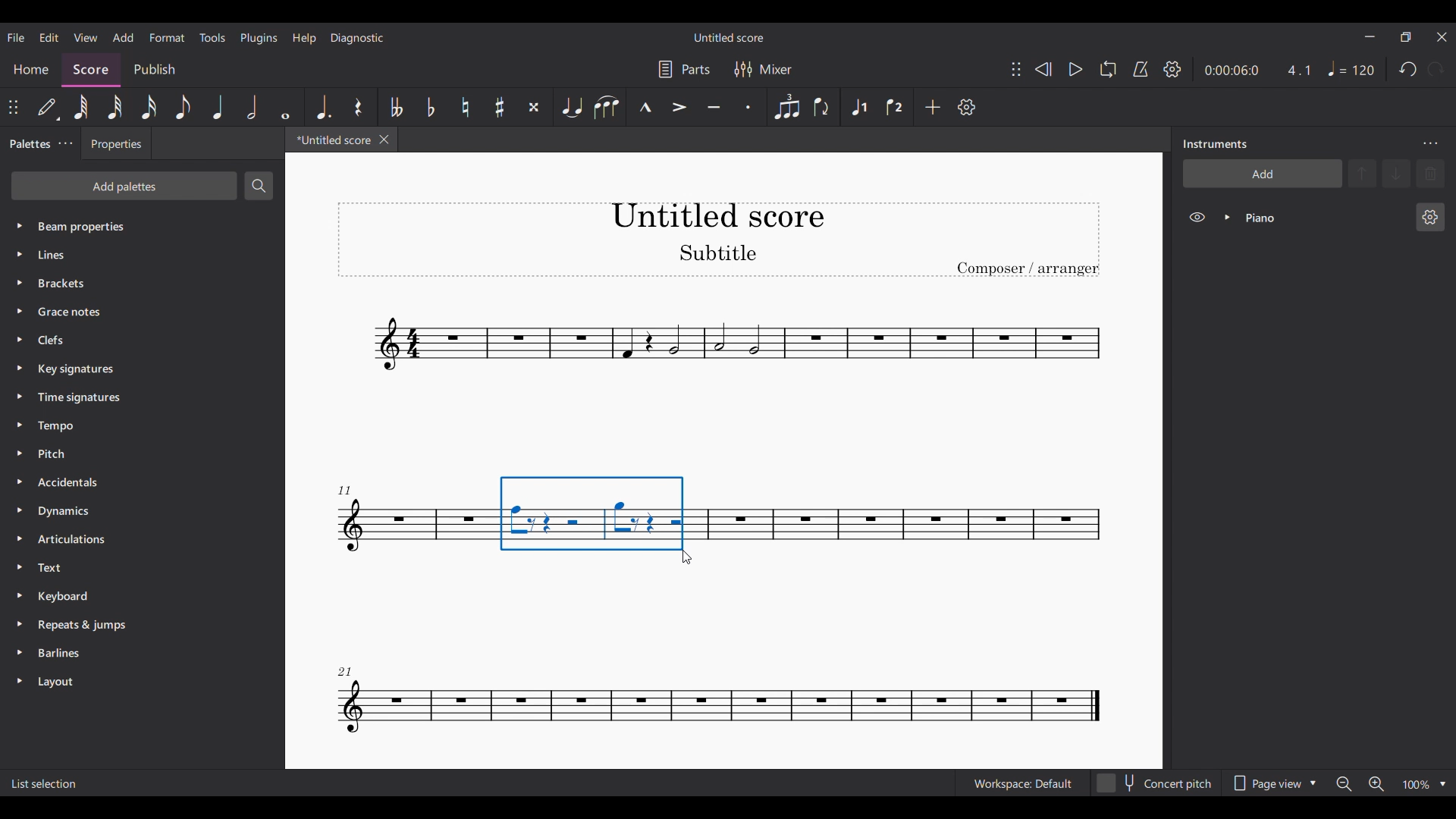  What do you see at coordinates (81, 107) in the screenshot?
I see `64th note` at bounding box center [81, 107].